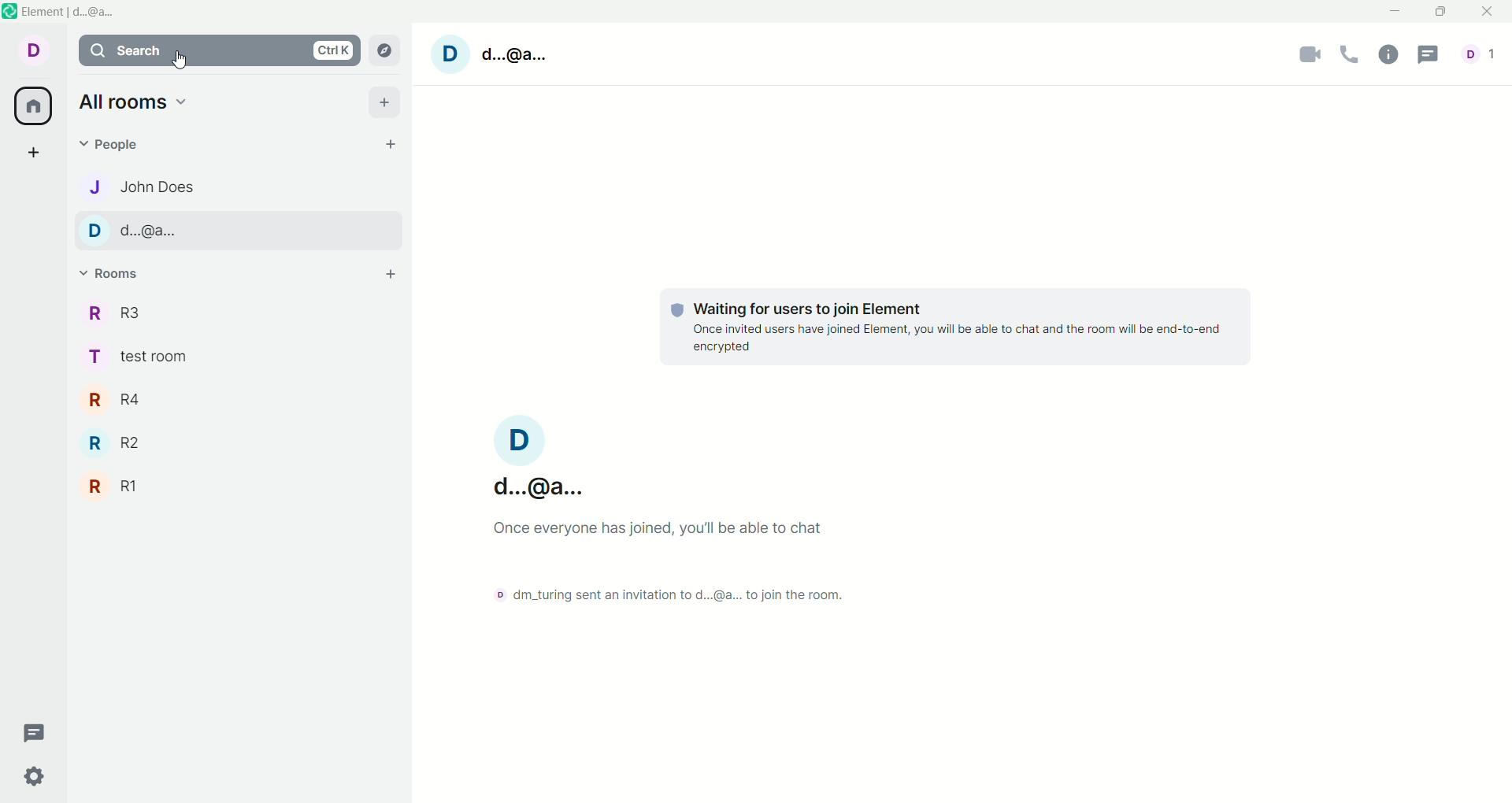 This screenshot has width=1512, height=803. What do you see at coordinates (1387, 56) in the screenshot?
I see `room info` at bounding box center [1387, 56].